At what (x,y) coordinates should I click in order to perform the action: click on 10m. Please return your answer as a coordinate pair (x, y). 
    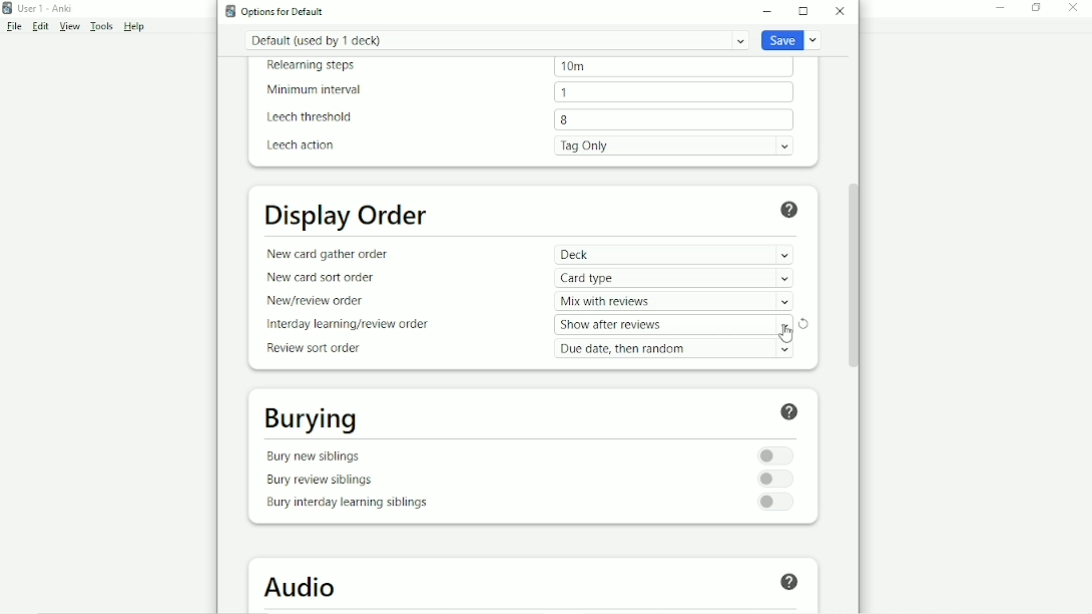
    Looking at the image, I should click on (673, 67).